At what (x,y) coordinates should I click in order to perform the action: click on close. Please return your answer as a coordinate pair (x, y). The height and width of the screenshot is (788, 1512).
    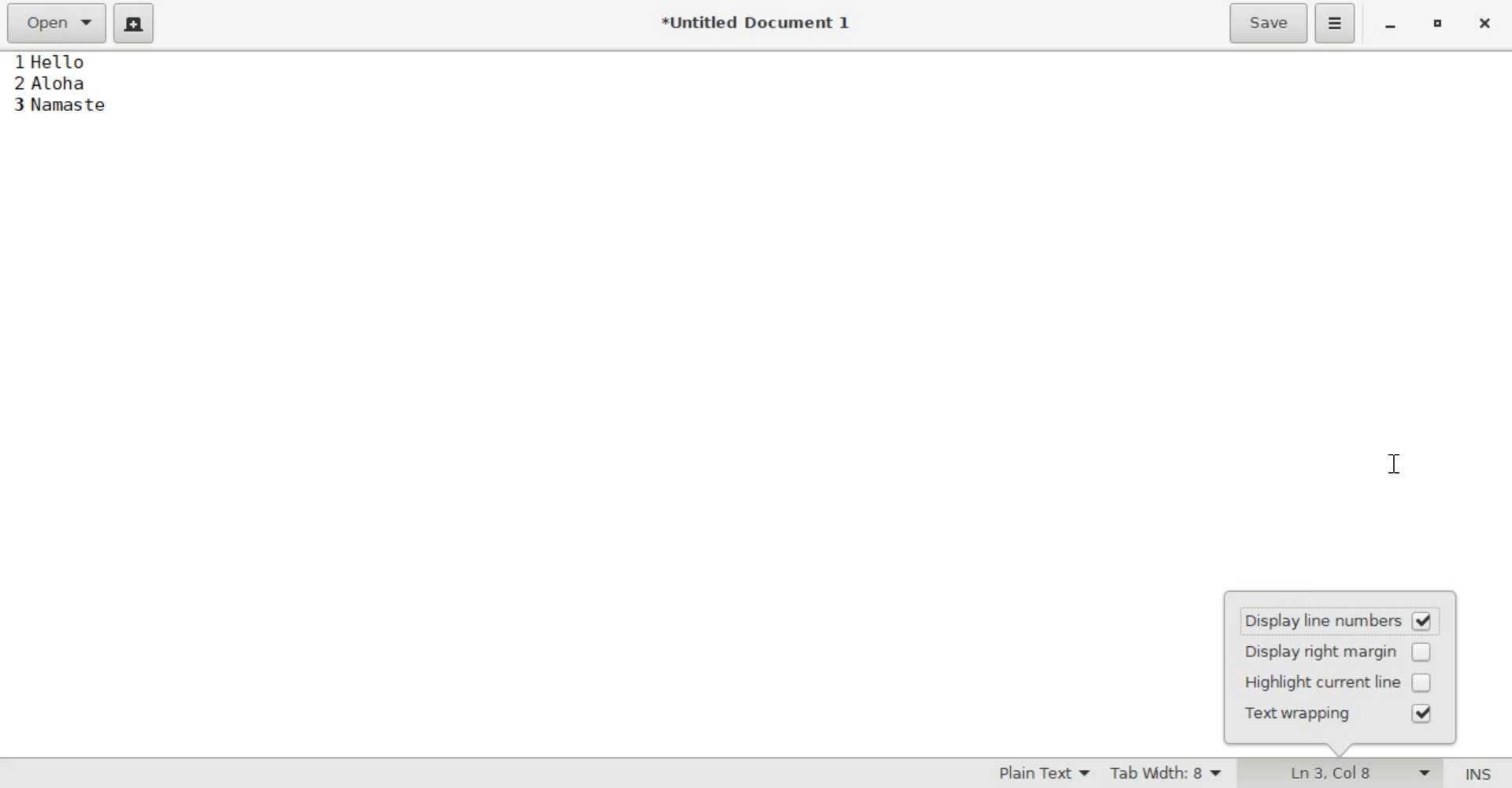
    Looking at the image, I should click on (1487, 23).